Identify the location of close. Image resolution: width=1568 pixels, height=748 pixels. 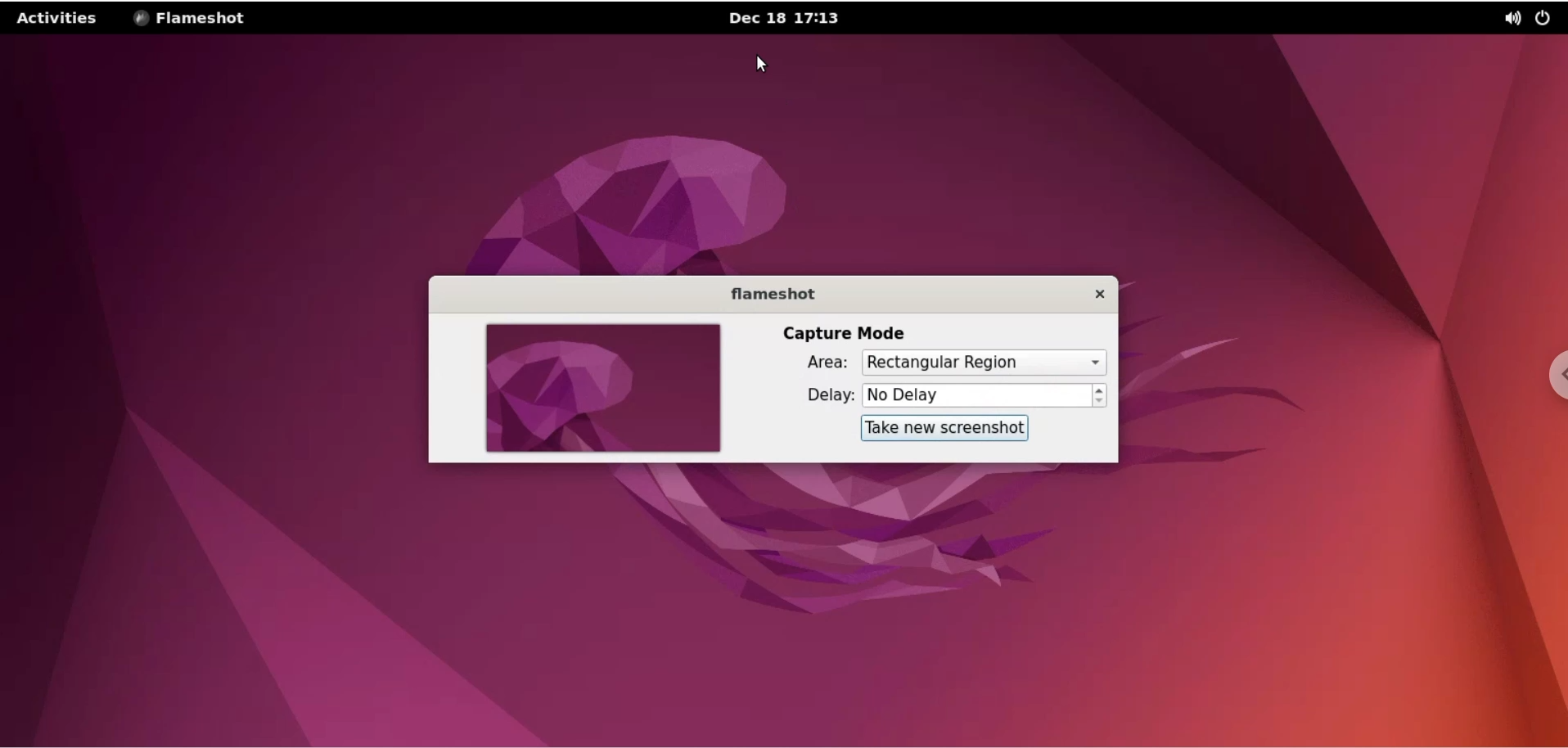
(1102, 295).